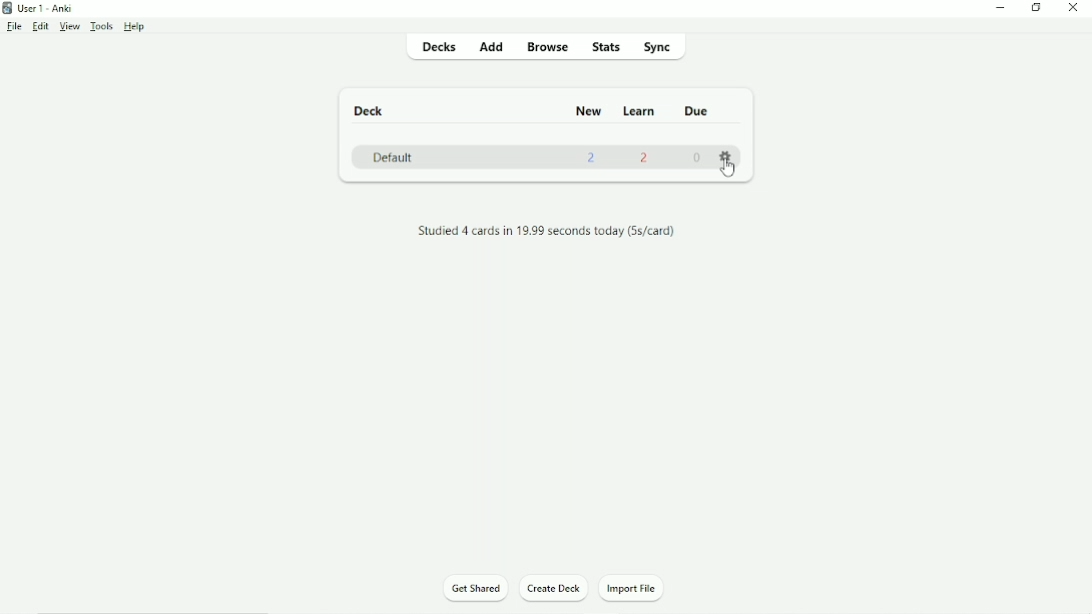  I want to click on Minimize, so click(1002, 9).